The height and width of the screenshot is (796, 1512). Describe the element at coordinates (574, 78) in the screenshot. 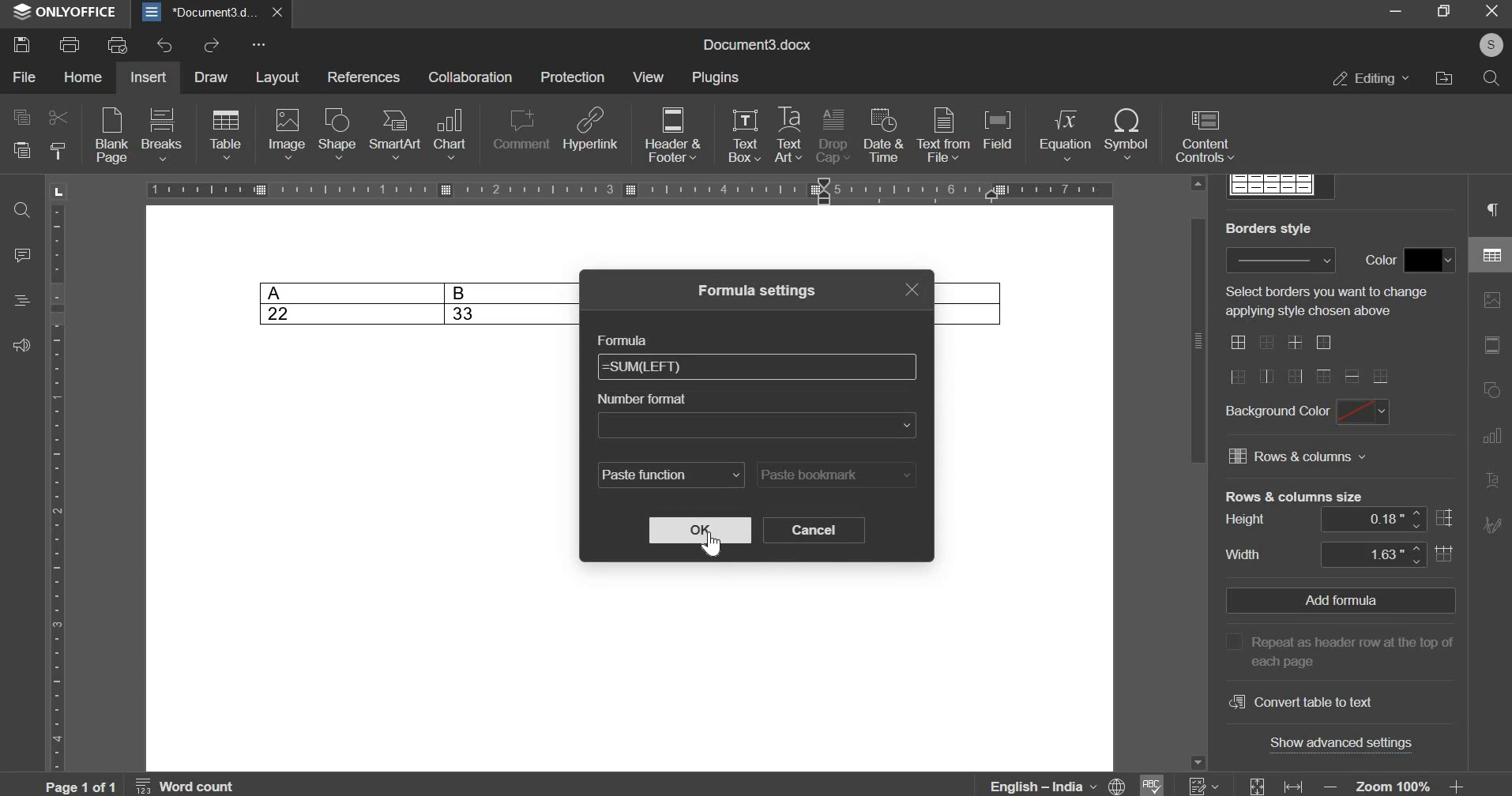

I see `protection` at that location.